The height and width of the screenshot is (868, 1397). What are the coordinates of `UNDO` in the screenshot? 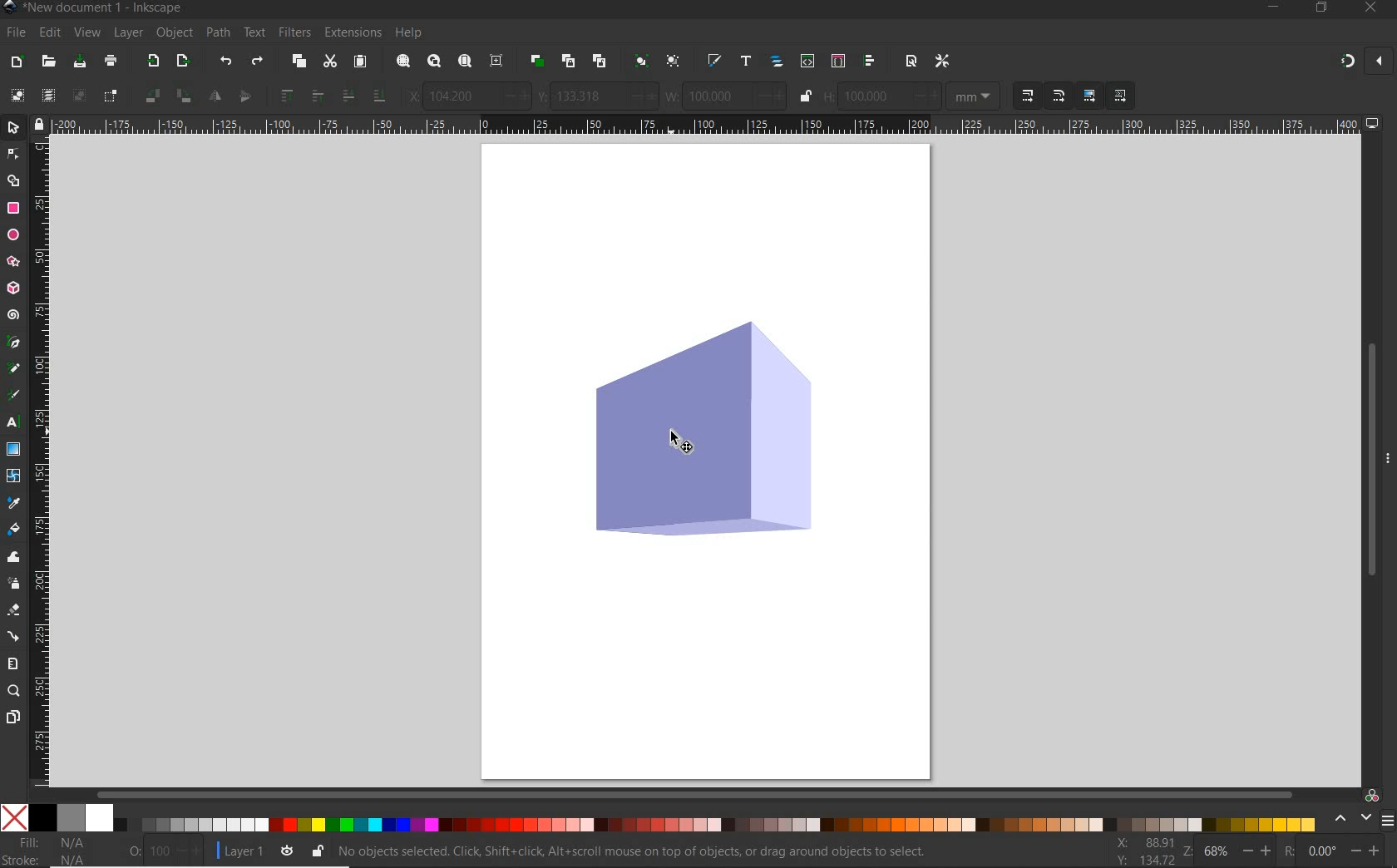 It's located at (226, 62).